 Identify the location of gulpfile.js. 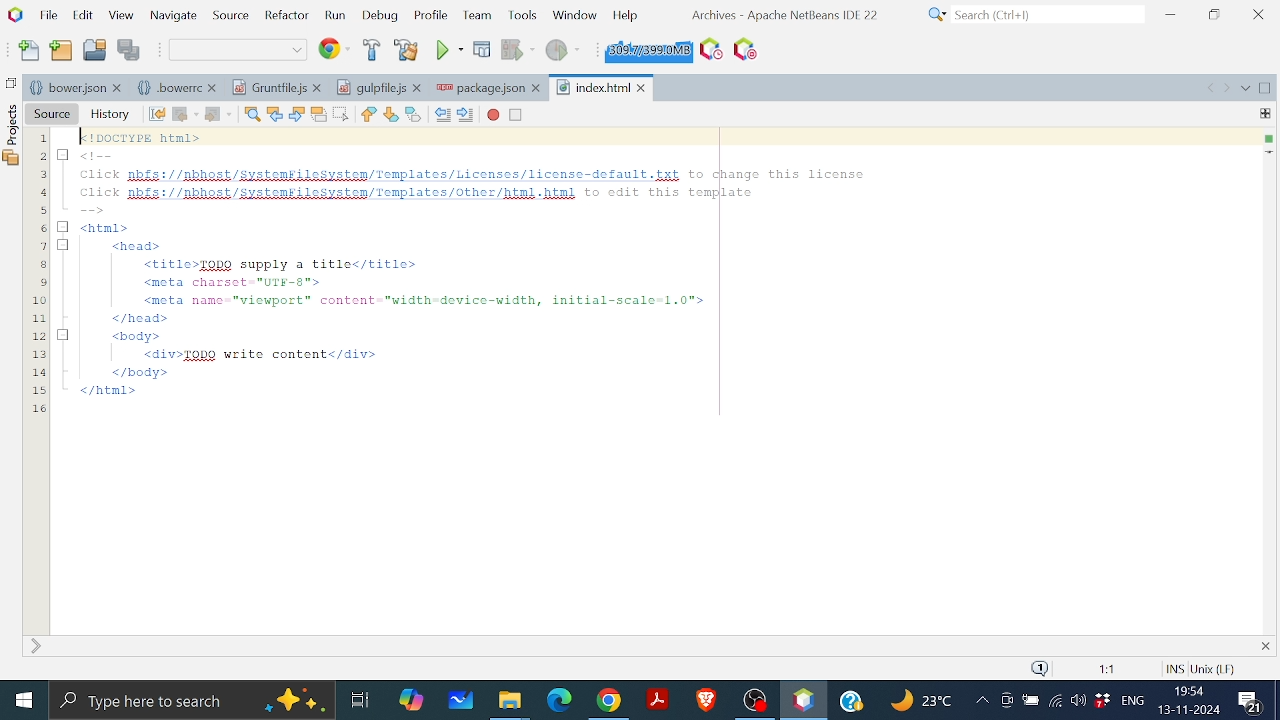
(371, 88).